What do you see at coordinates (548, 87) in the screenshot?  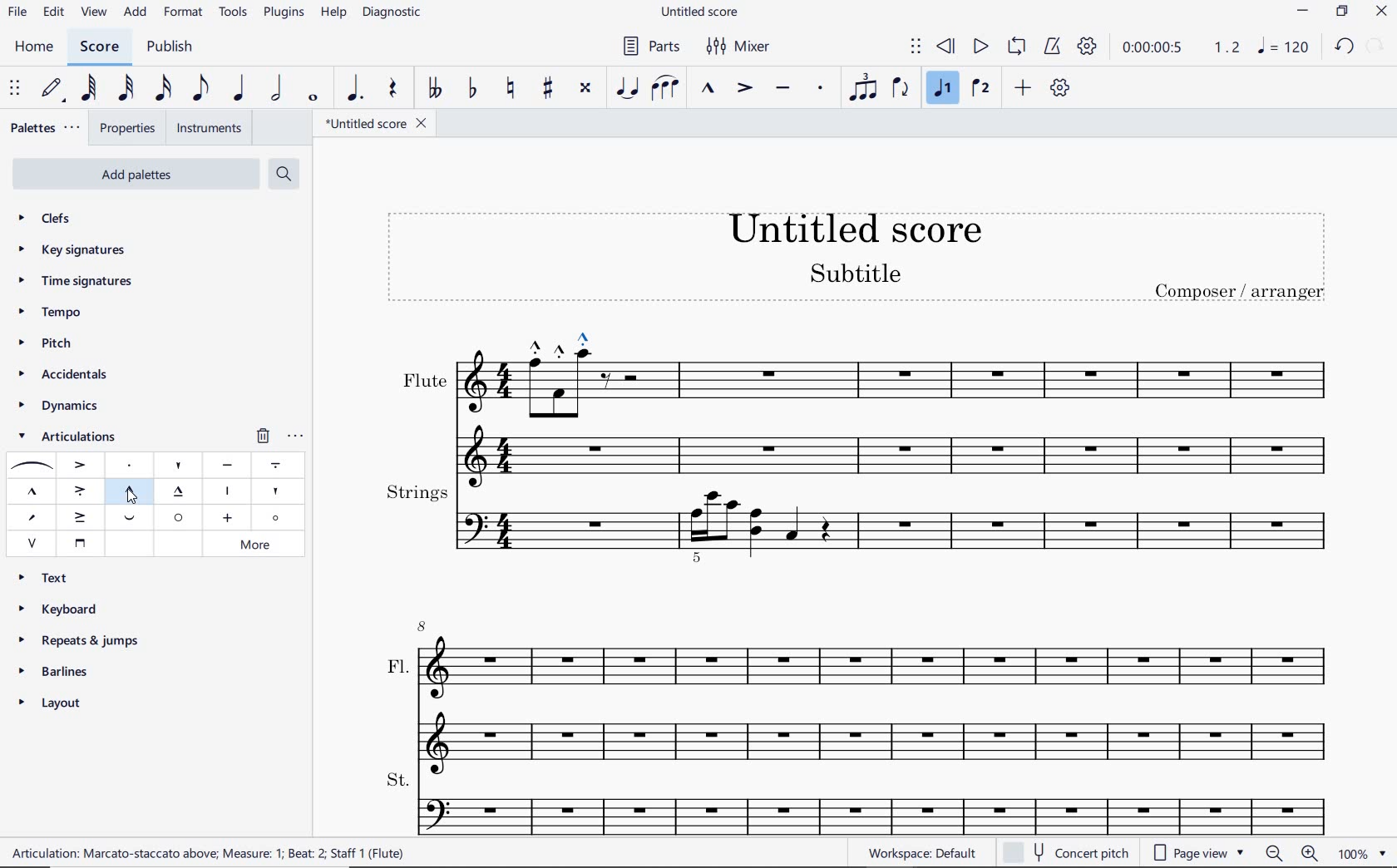 I see `TOGGLE SHARP` at bounding box center [548, 87].